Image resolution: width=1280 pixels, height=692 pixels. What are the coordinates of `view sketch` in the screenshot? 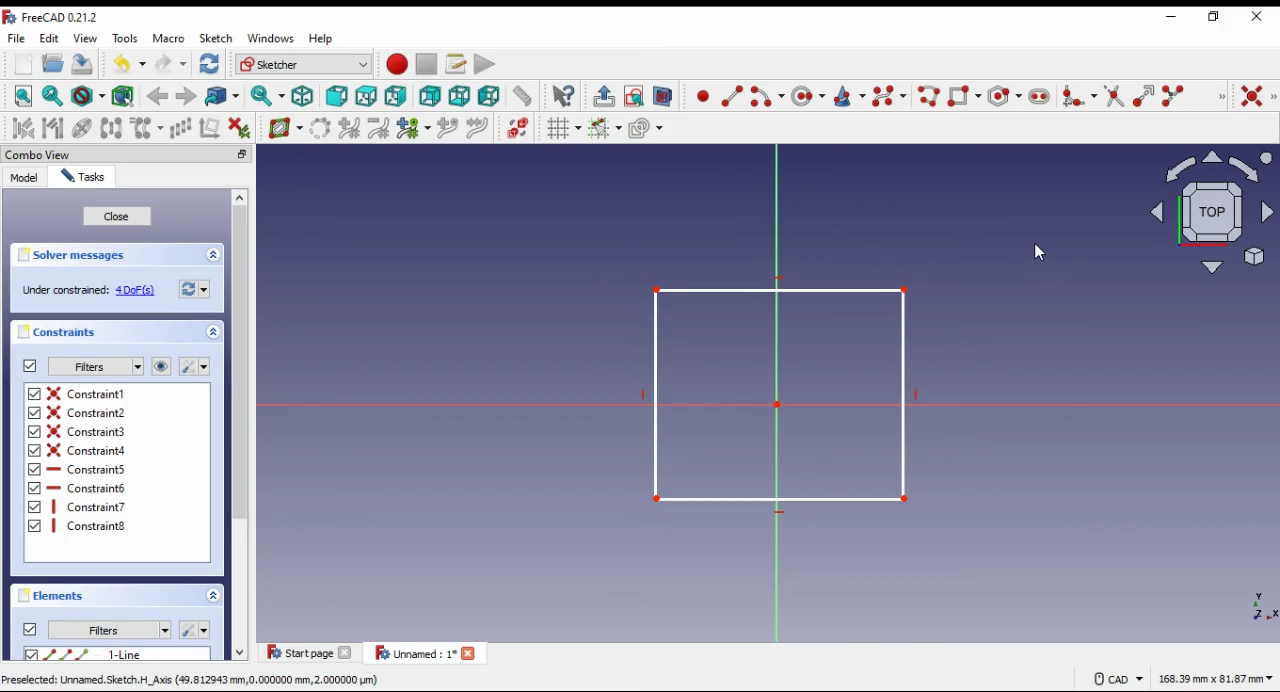 It's located at (633, 96).